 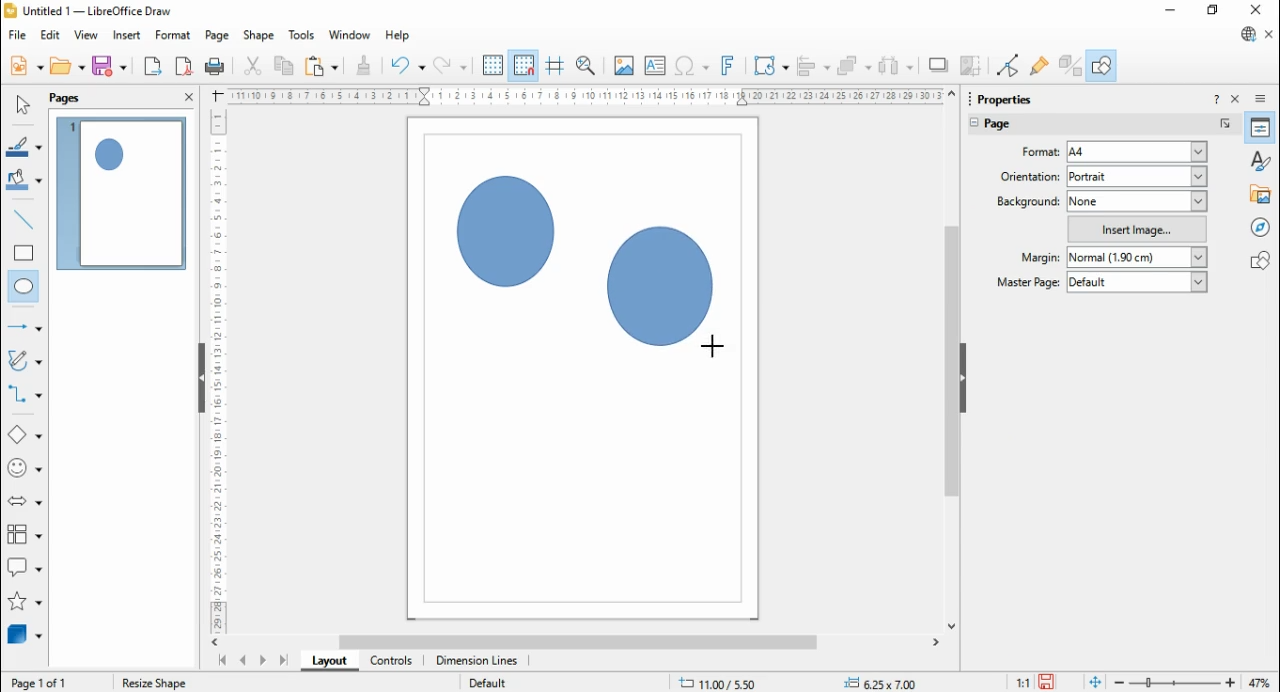 I want to click on shapes, so click(x=1260, y=260).